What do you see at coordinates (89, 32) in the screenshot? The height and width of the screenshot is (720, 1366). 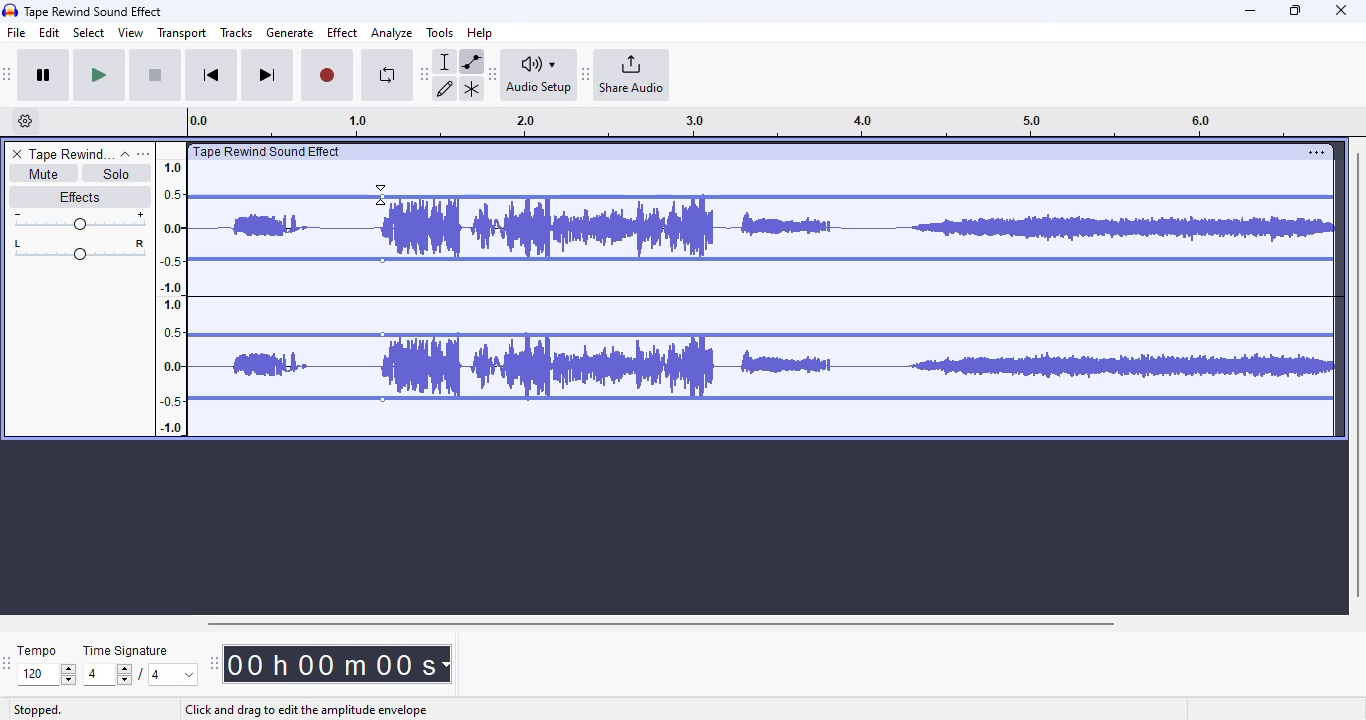 I see `select` at bounding box center [89, 32].